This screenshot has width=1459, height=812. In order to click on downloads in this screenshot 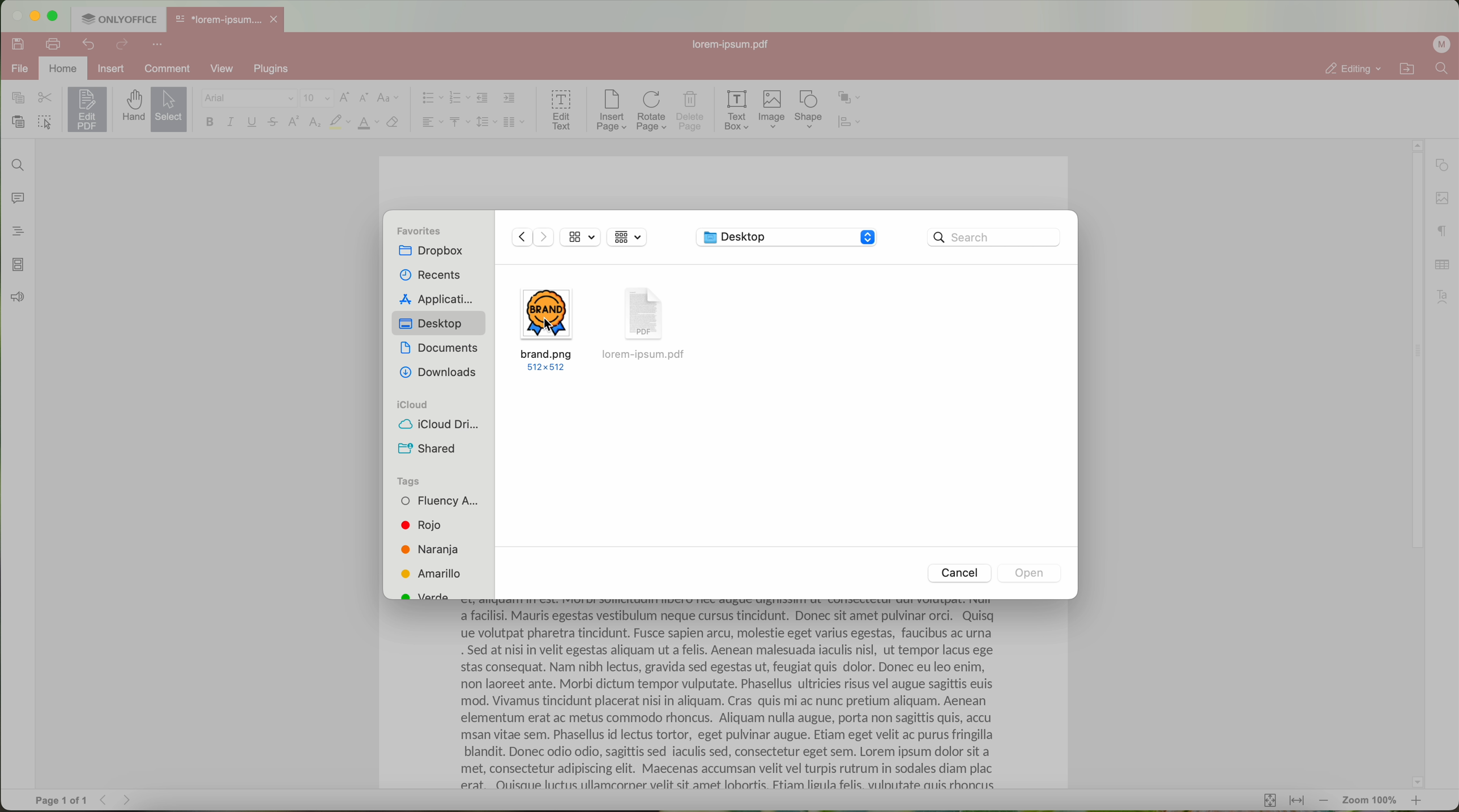, I will do `click(438, 373)`.